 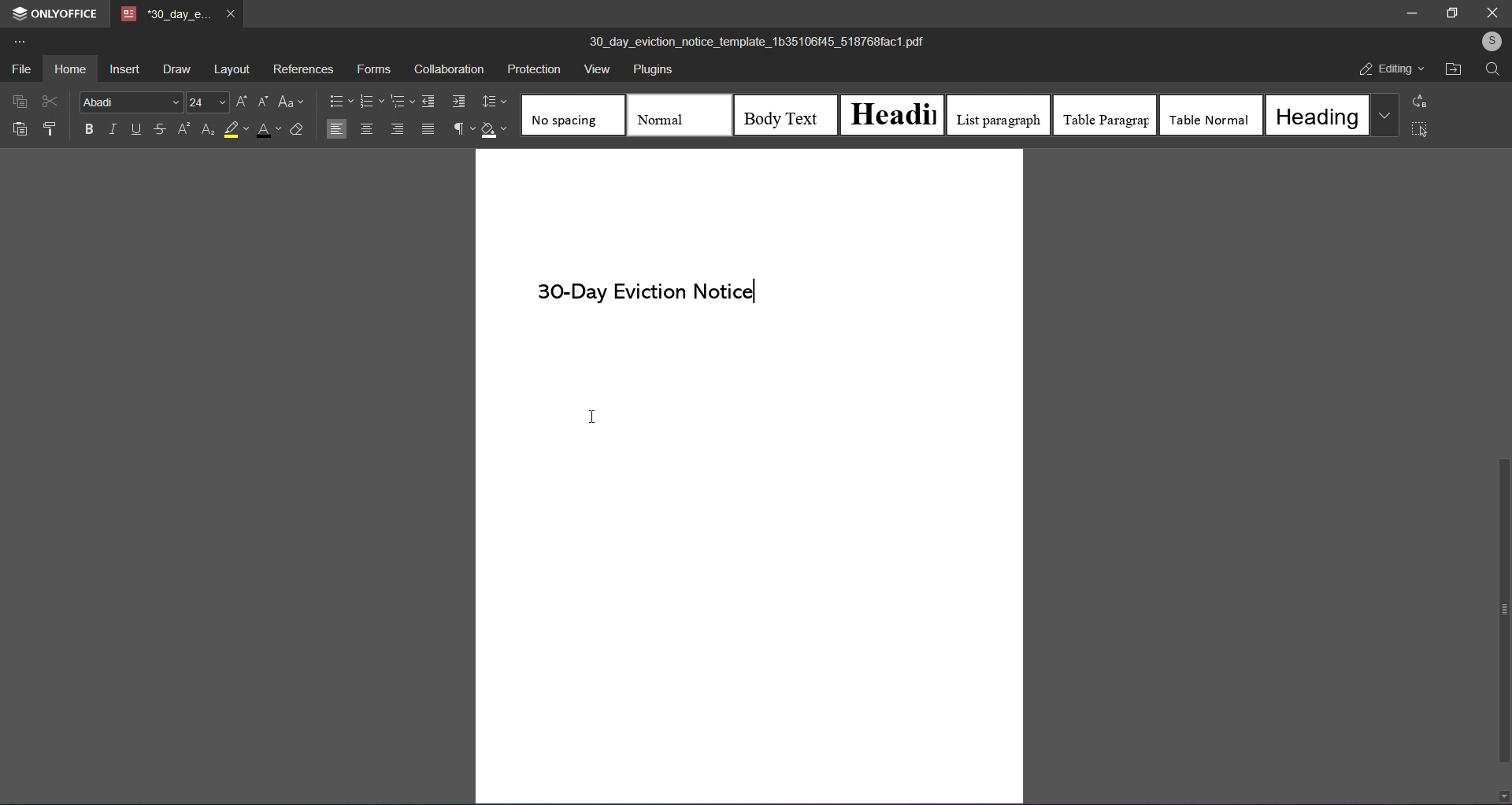 What do you see at coordinates (783, 114) in the screenshot?
I see `body text` at bounding box center [783, 114].